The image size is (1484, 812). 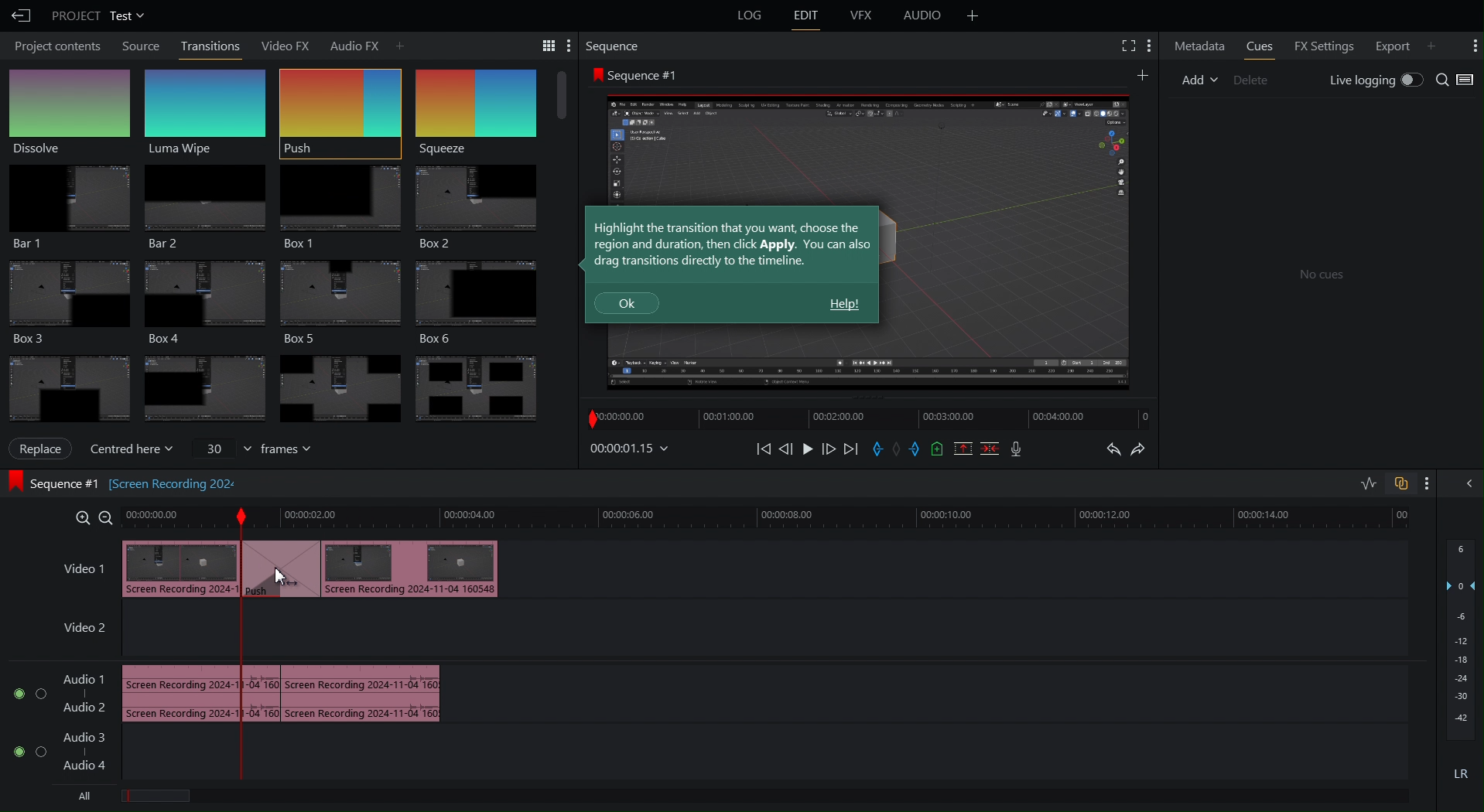 I want to click on Highlight the transition that you want, choose the
region and duration, then click Apply. You can also
drag transitions directly to the timeline., so click(x=733, y=244).